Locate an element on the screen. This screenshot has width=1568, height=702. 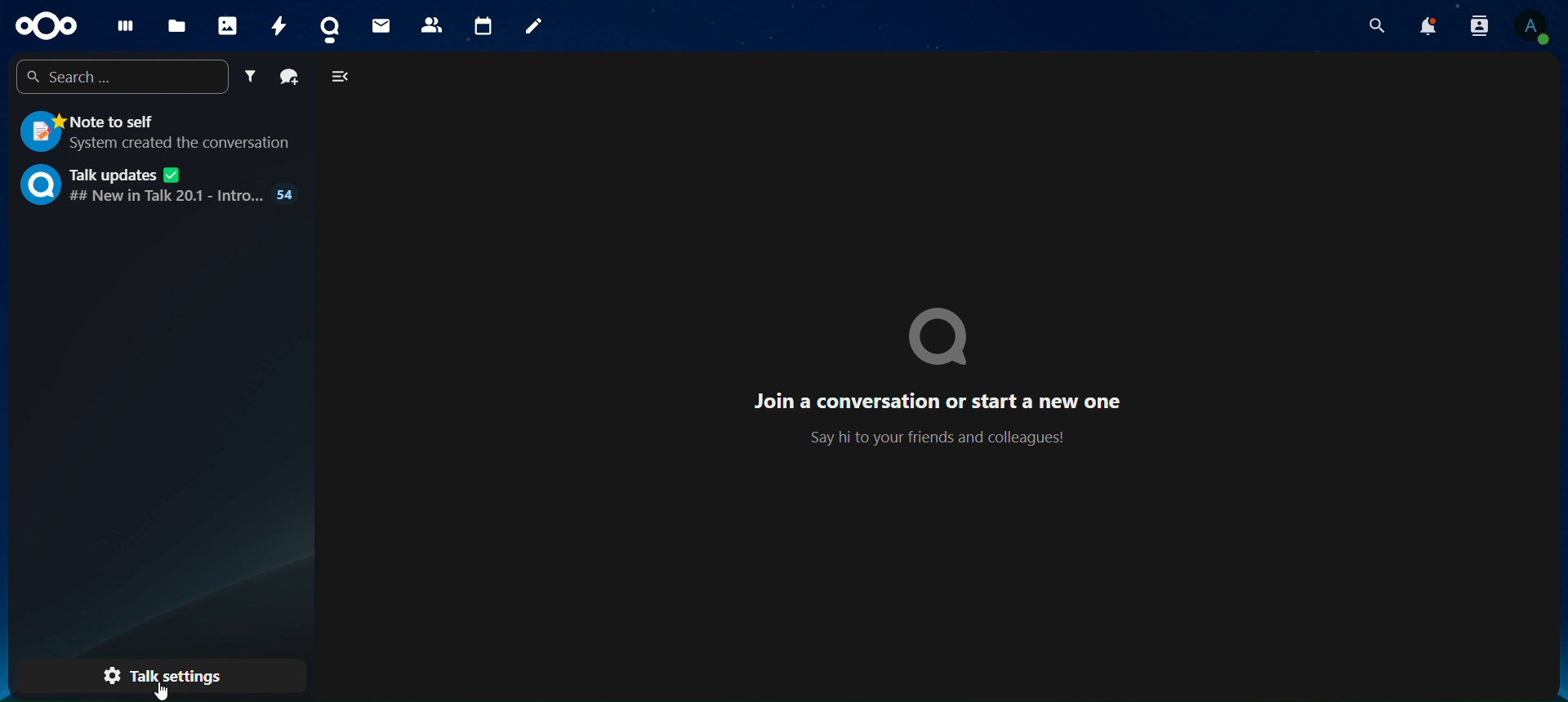
create a group is located at coordinates (290, 77).